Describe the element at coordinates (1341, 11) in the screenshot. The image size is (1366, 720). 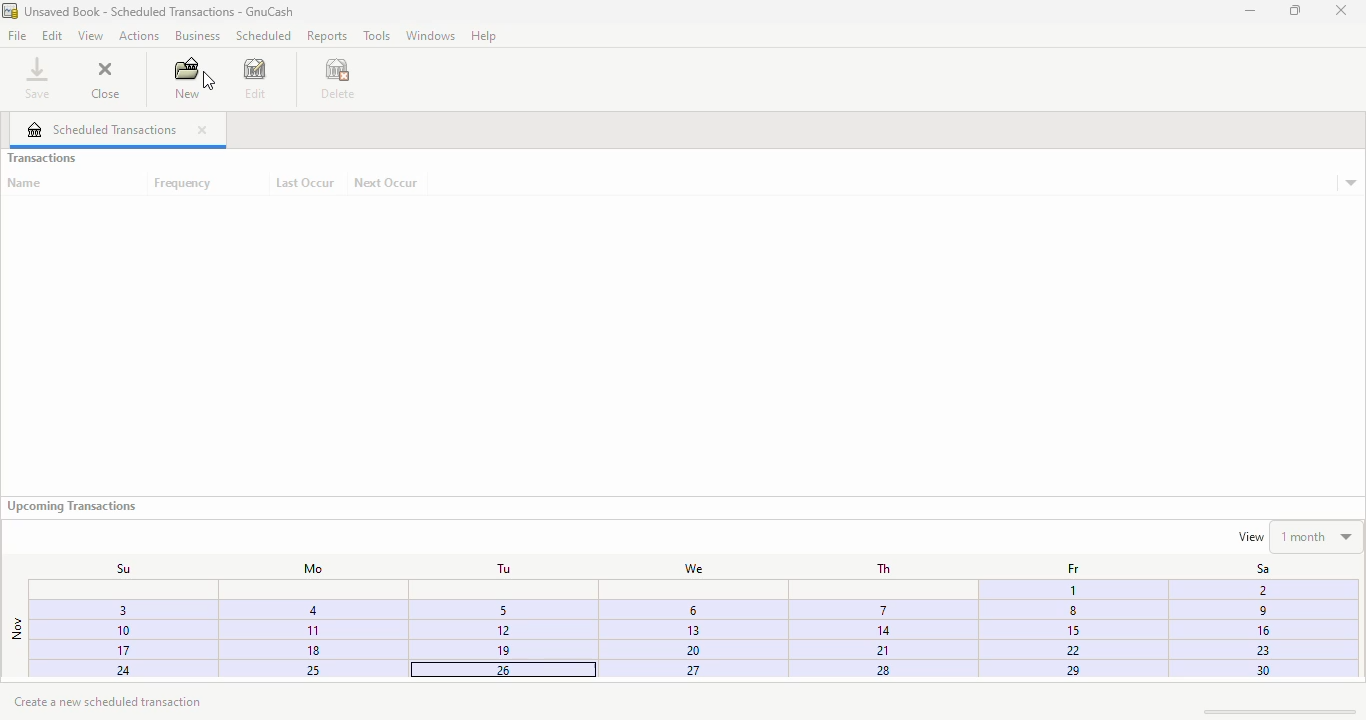
I see `close` at that location.